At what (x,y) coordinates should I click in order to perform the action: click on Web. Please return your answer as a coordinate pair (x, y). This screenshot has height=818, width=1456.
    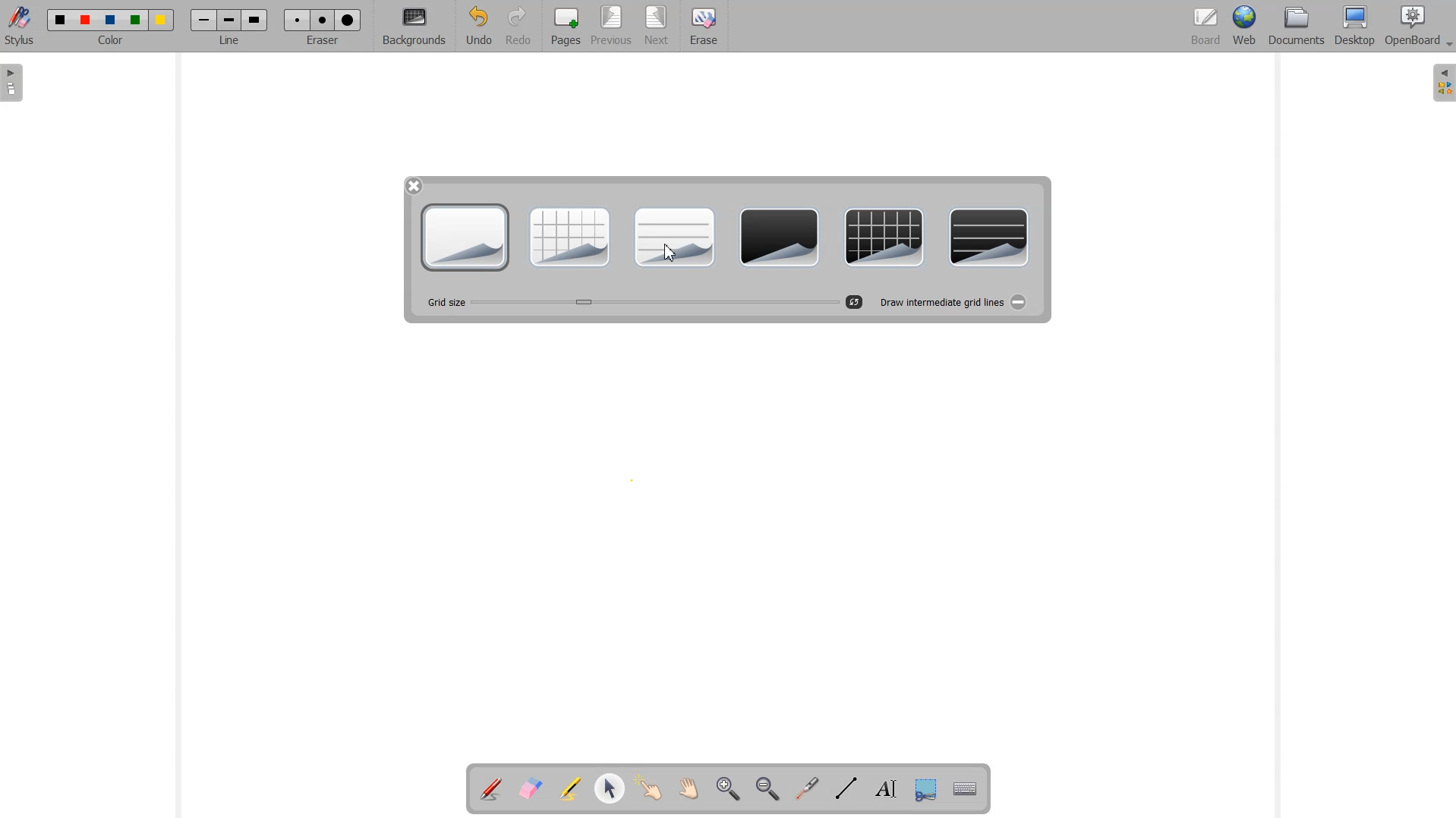
    Looking at the image, I should click on (1246, 27).